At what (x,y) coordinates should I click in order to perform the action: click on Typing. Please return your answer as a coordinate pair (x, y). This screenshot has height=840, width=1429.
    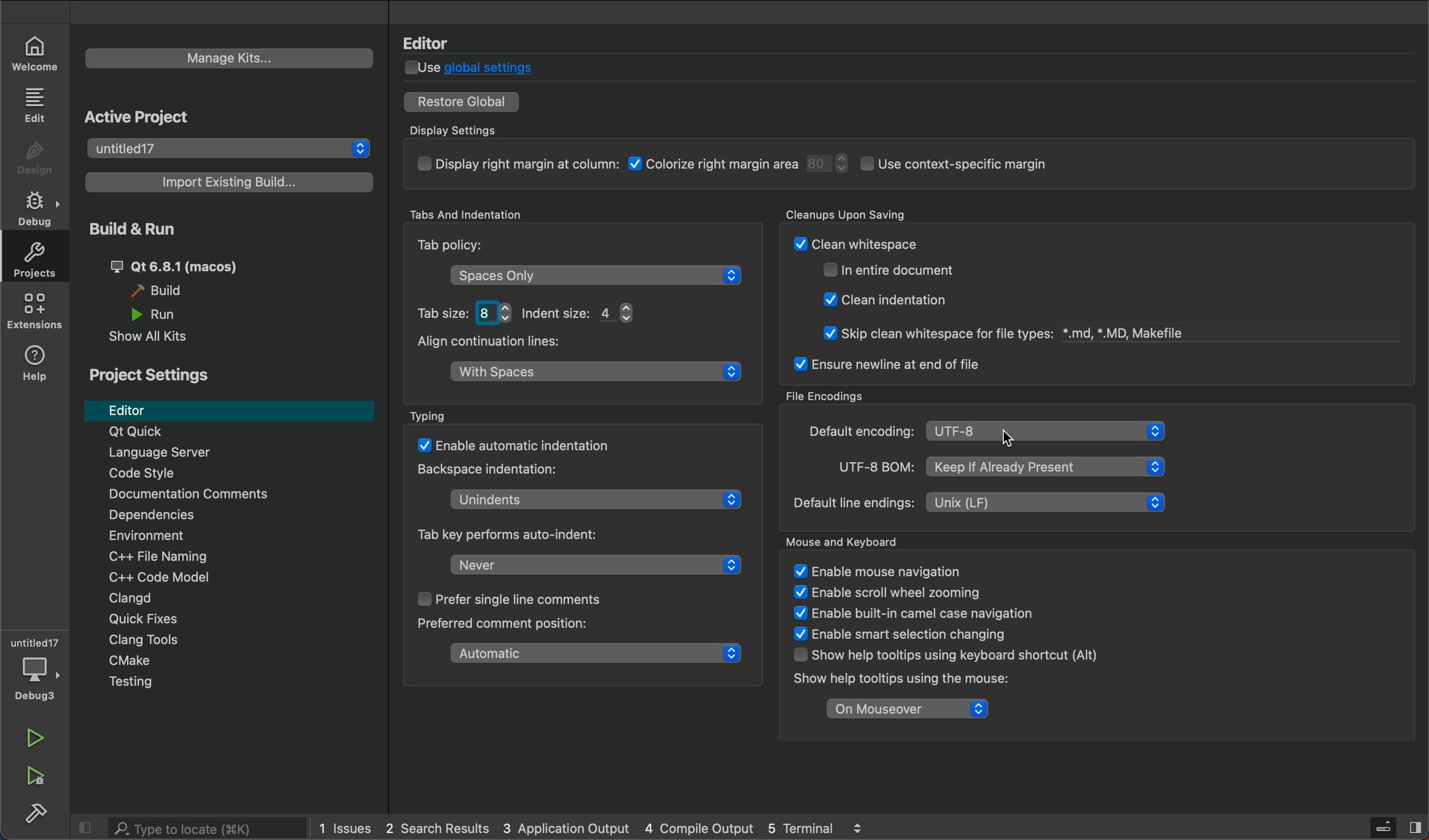
    Looking at the image, I should click on (435, 416).